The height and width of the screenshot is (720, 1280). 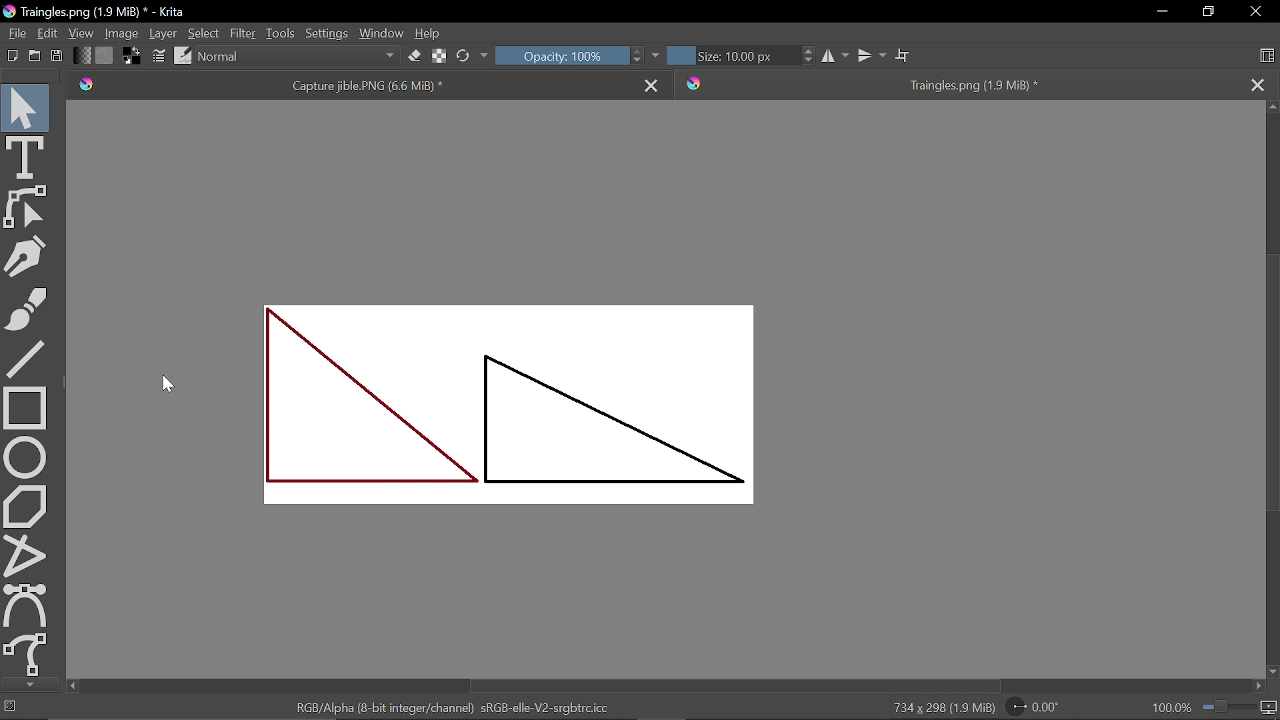 What do you see at coordinates (958, 85) in the screenshot?
I see `Traingles.png (1.9 MiB) *` at bounding box center [958, 85].